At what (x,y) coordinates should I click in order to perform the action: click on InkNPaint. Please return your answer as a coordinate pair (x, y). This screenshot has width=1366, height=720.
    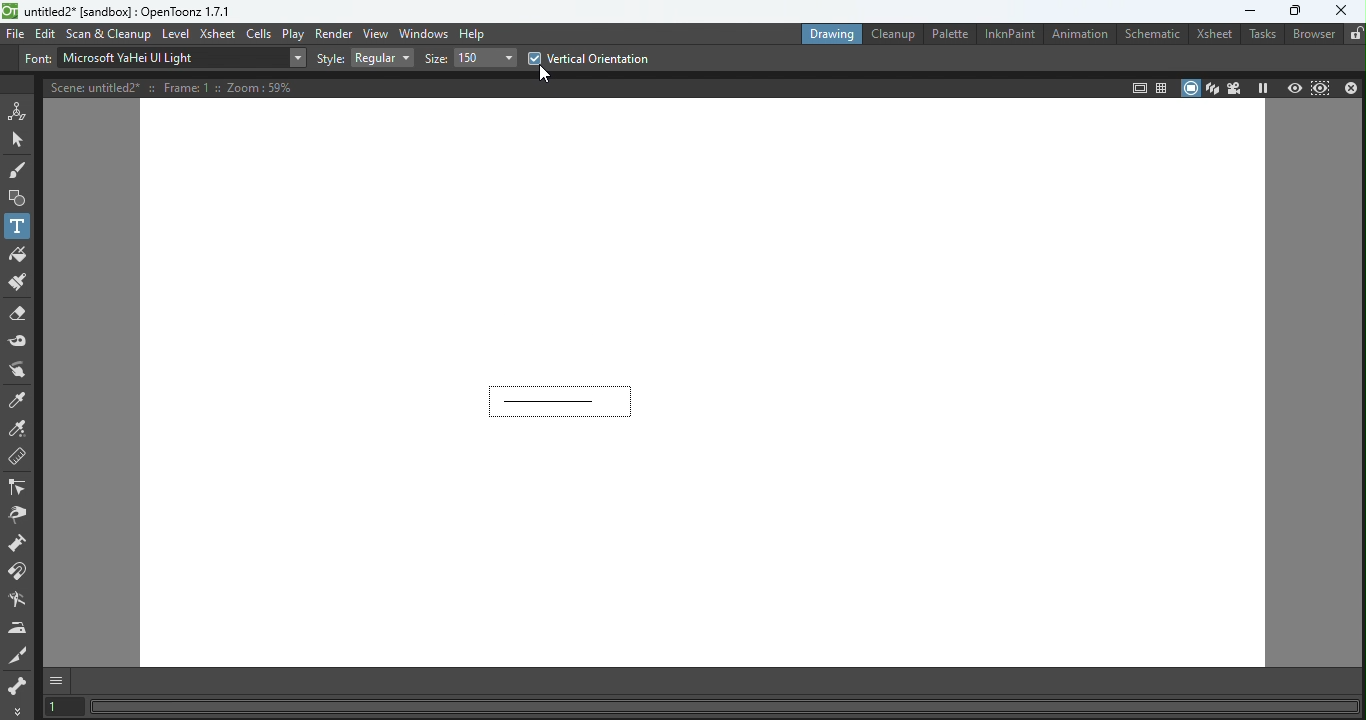
    Looking at the image, I should click on (1009, 35).